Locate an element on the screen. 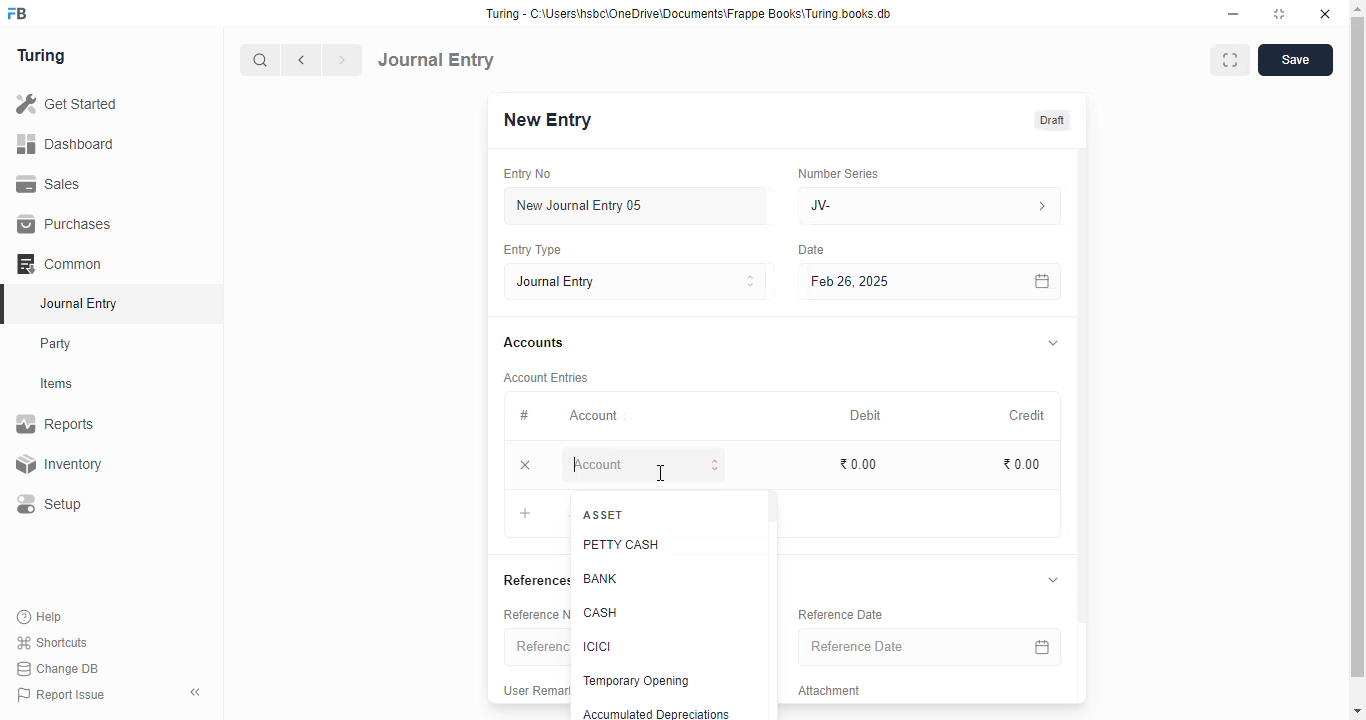  add is located at coordinates (527, 514).